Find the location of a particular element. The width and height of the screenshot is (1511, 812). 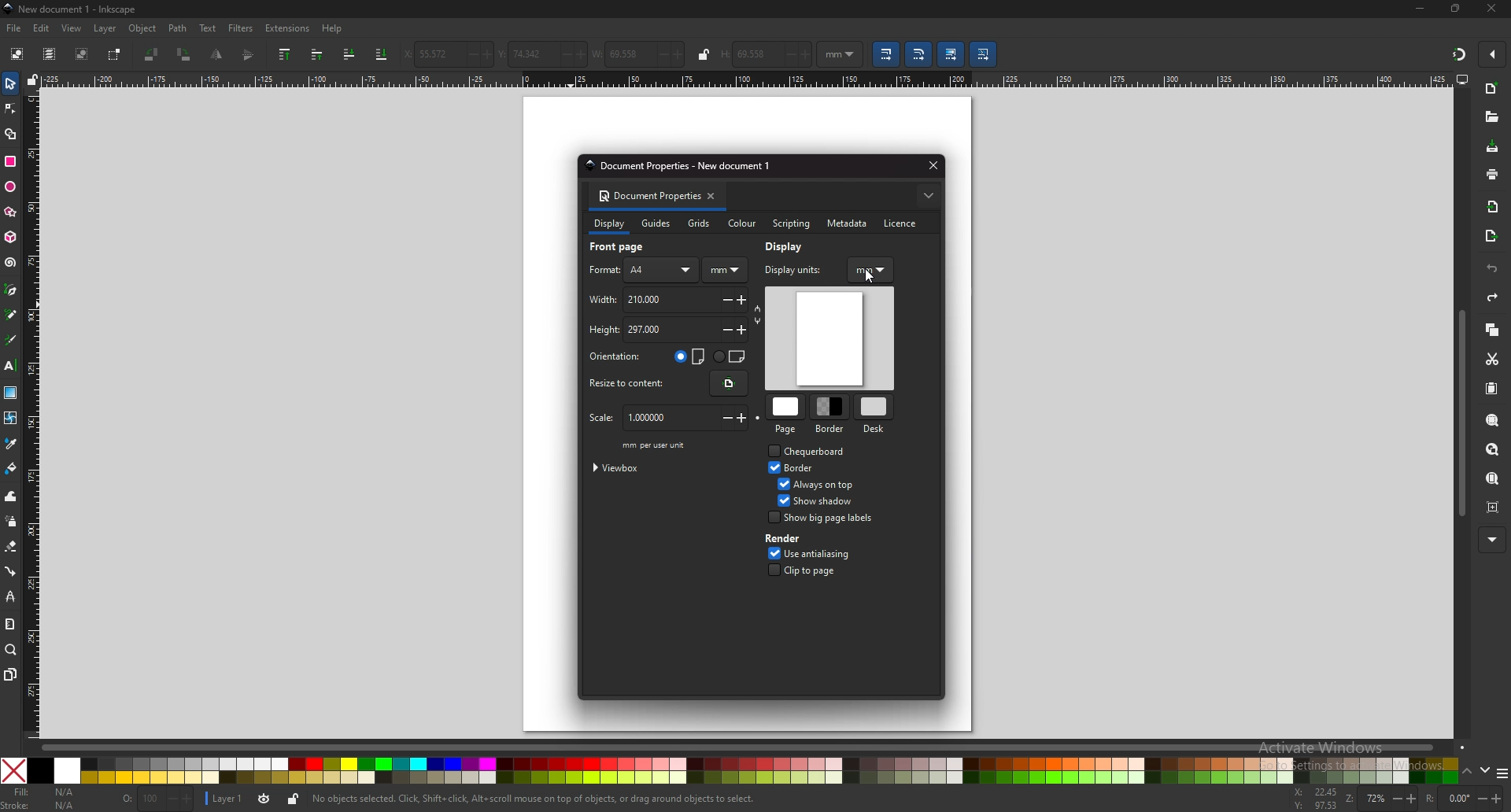

width is located at coordinates (618, 55).